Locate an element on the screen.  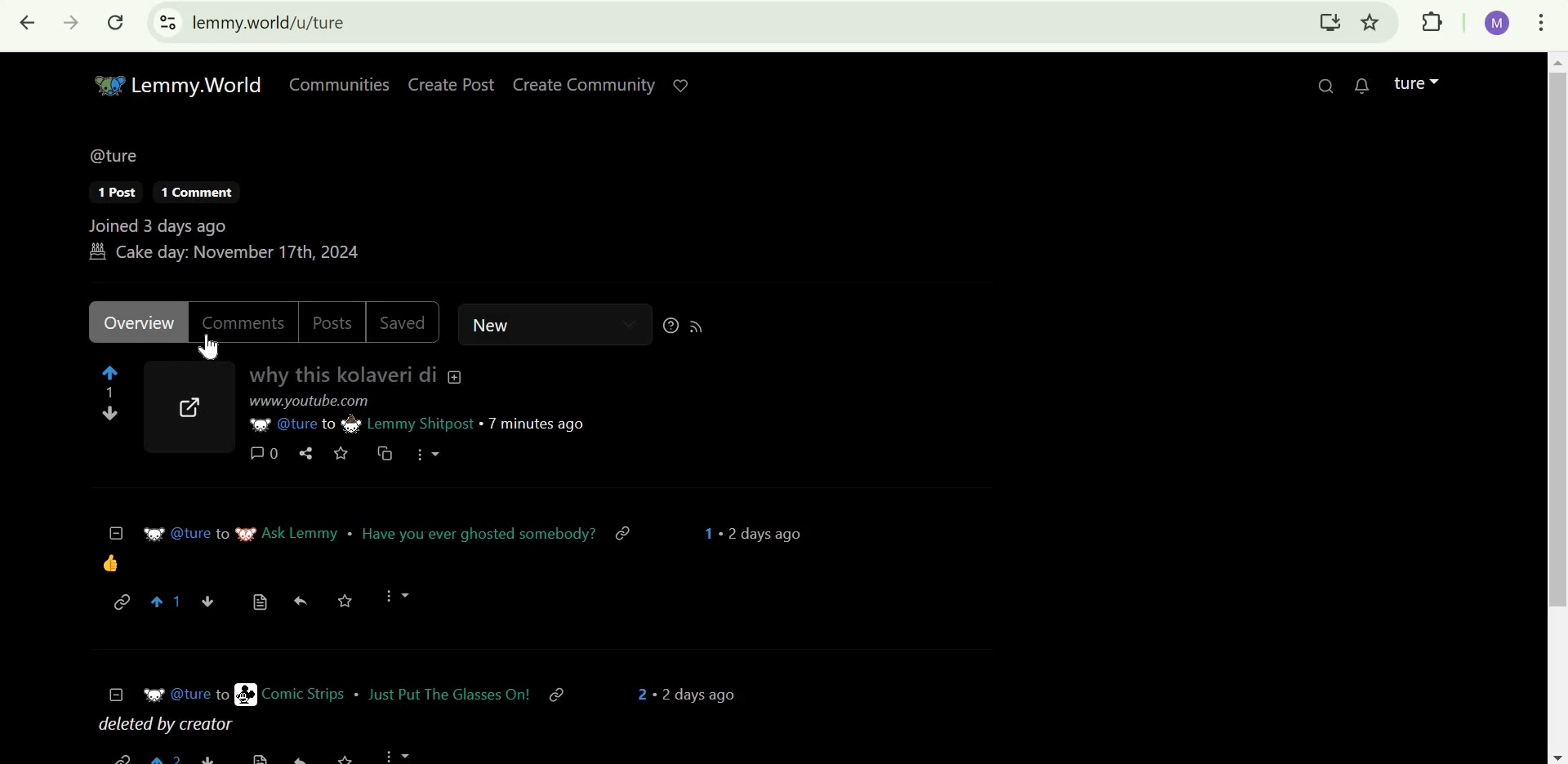
upvote is located at coordinates (107, 371).